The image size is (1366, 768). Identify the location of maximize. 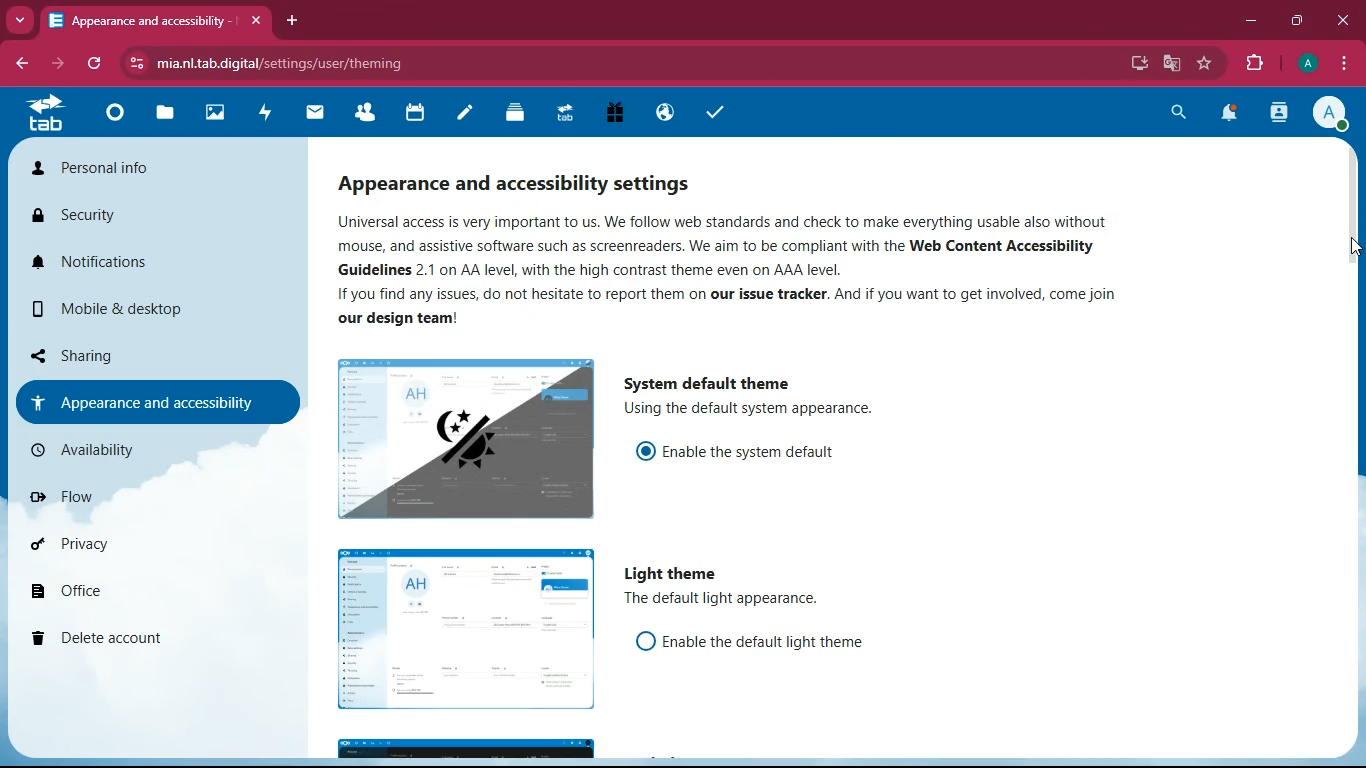
(1299, 21).